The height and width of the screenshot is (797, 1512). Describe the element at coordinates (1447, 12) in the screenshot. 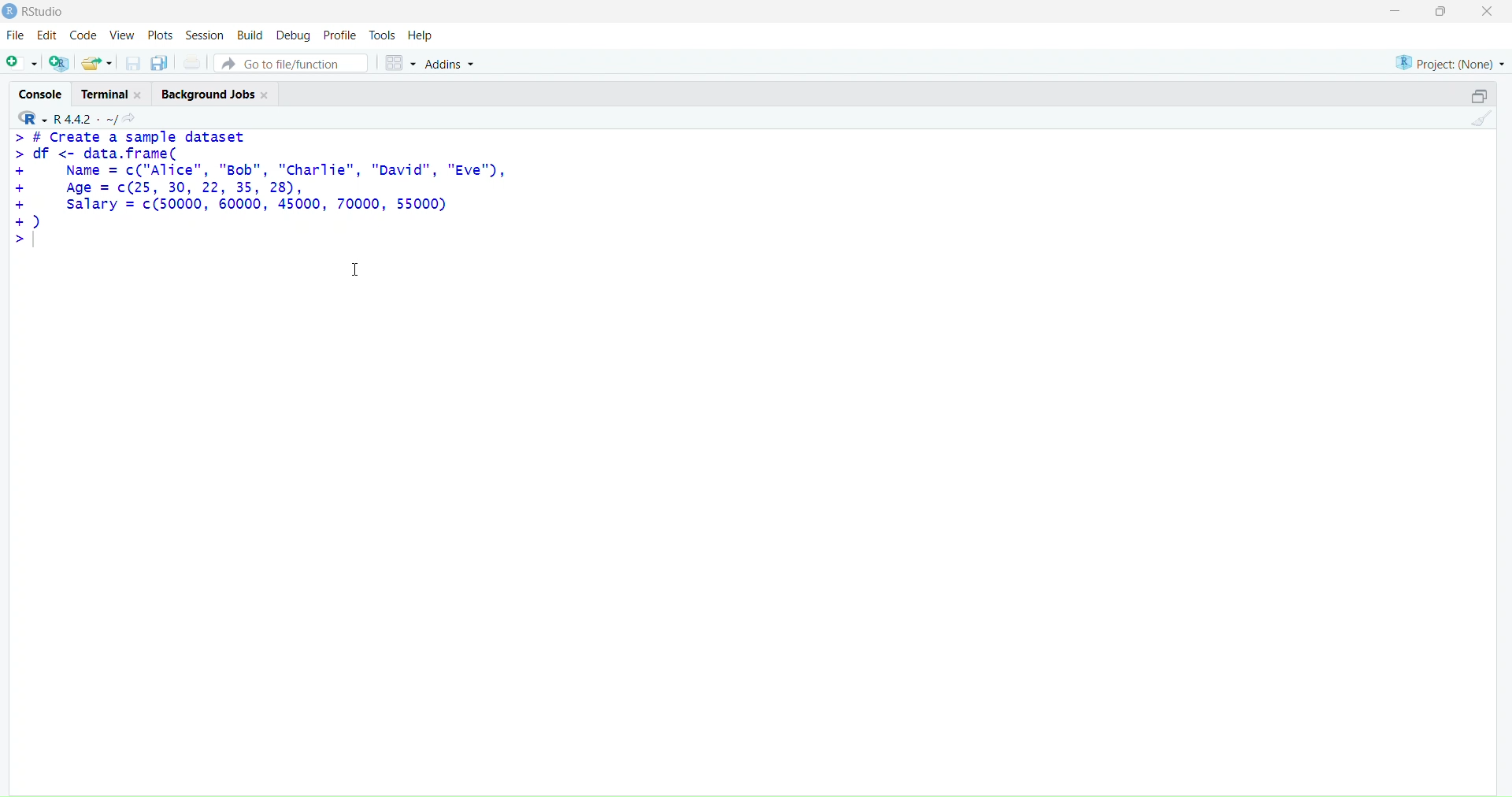

I see `maximize` at that location.